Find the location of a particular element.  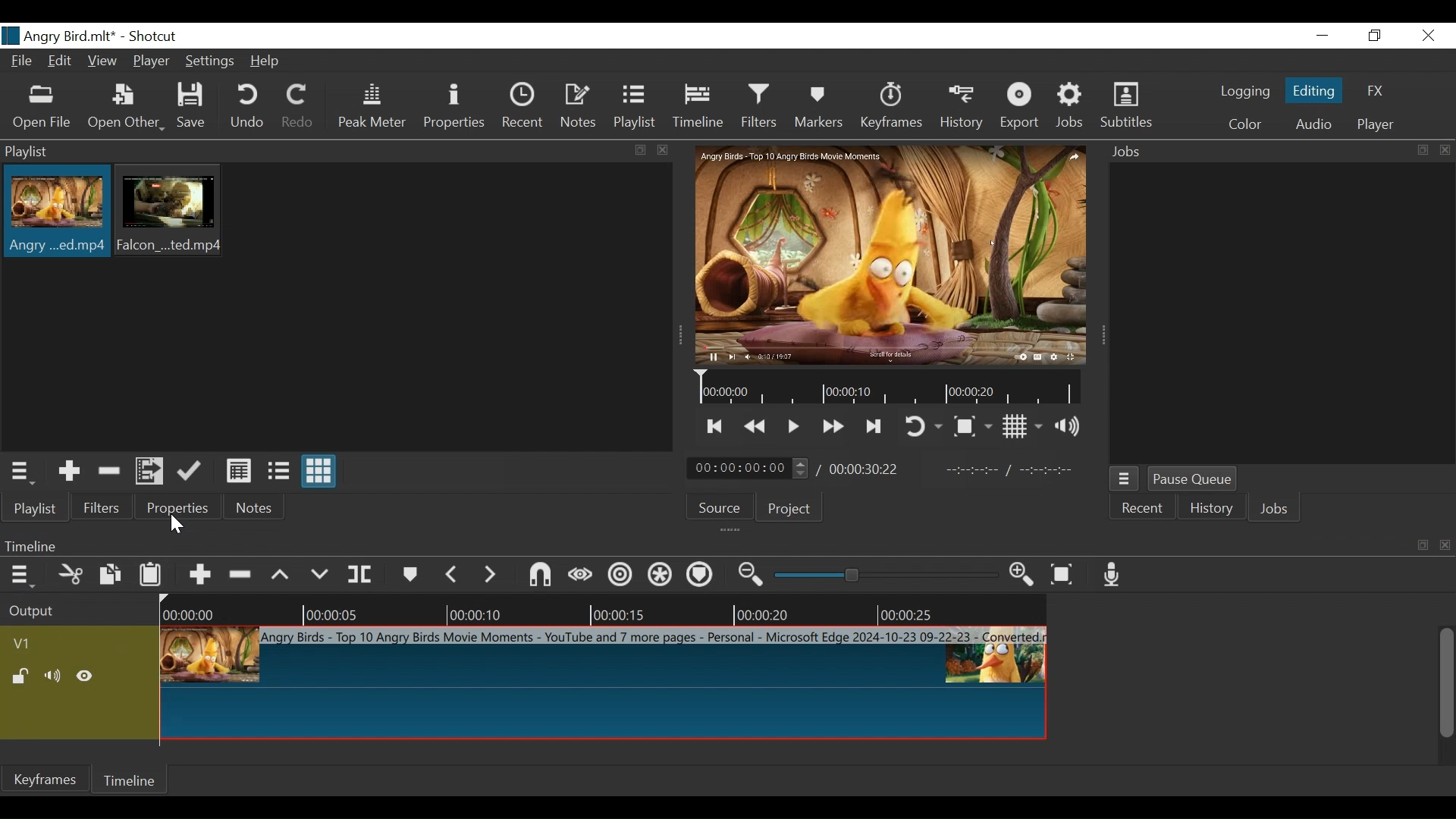

Peak Meter is located at coordinates (370, 110).